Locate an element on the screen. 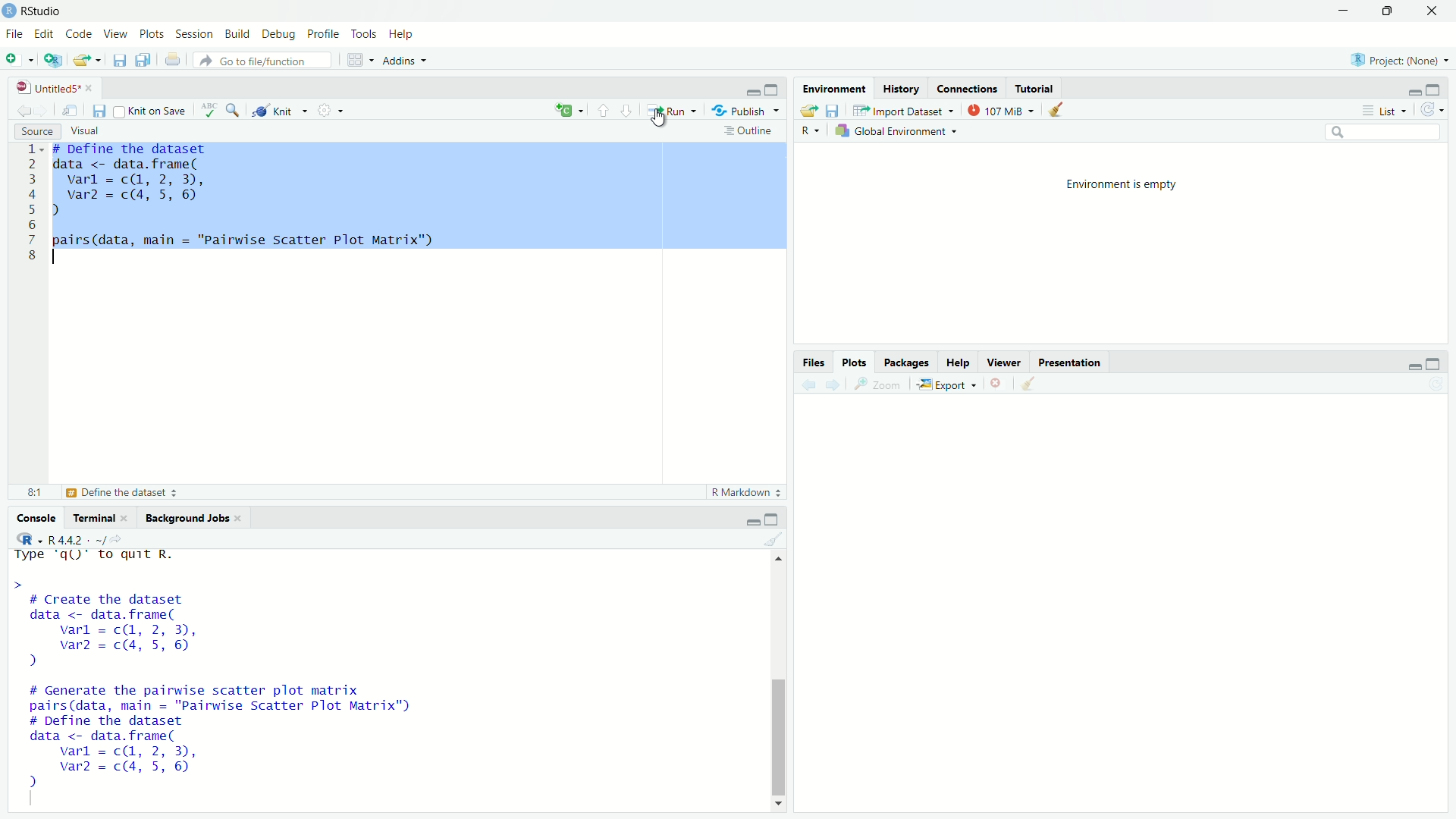 This screenshot has height=819, width=1456. 1 2 3 4 5 6 7 8 is located at coordinates (31, 206).